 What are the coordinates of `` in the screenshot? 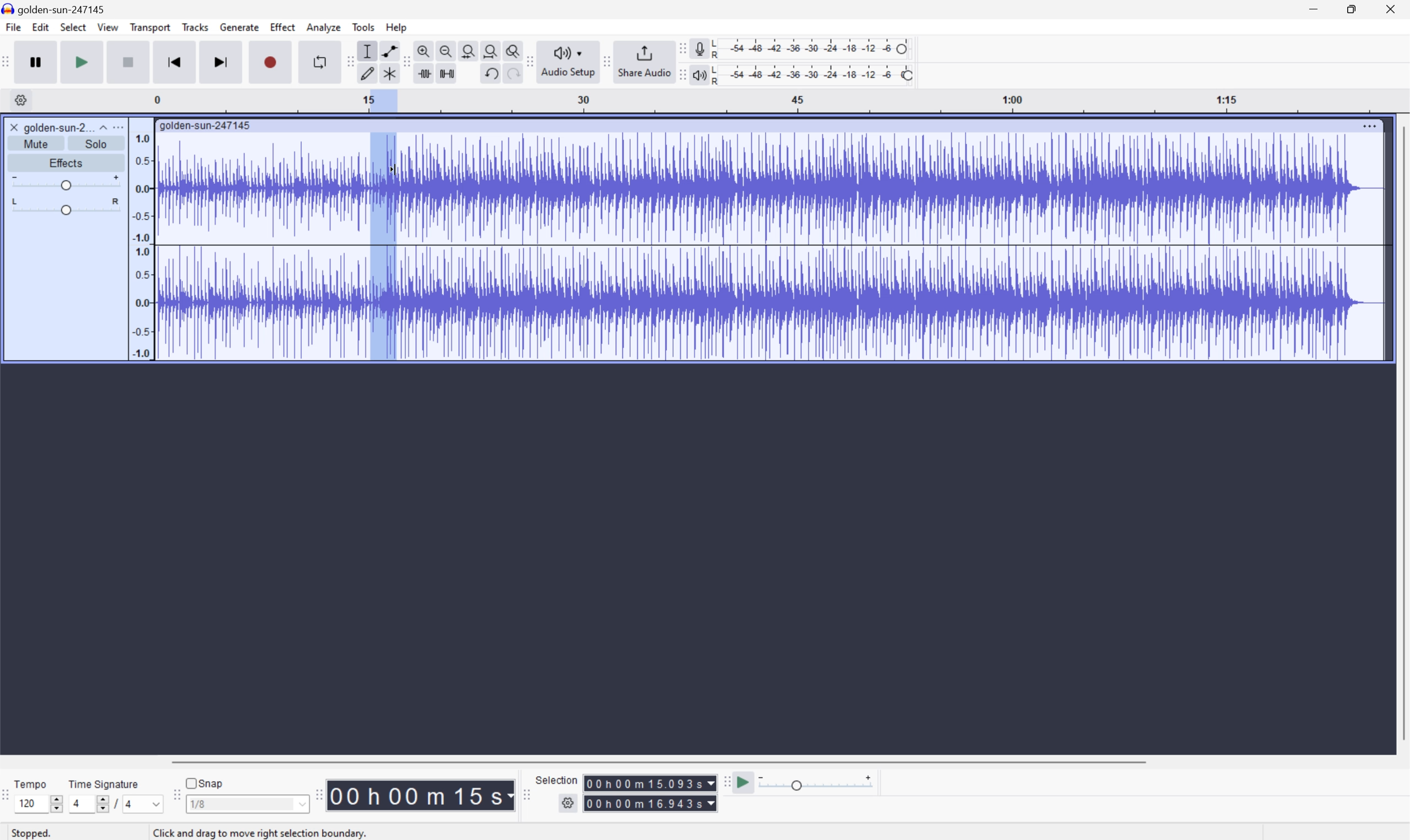 It's located at (55, 128).